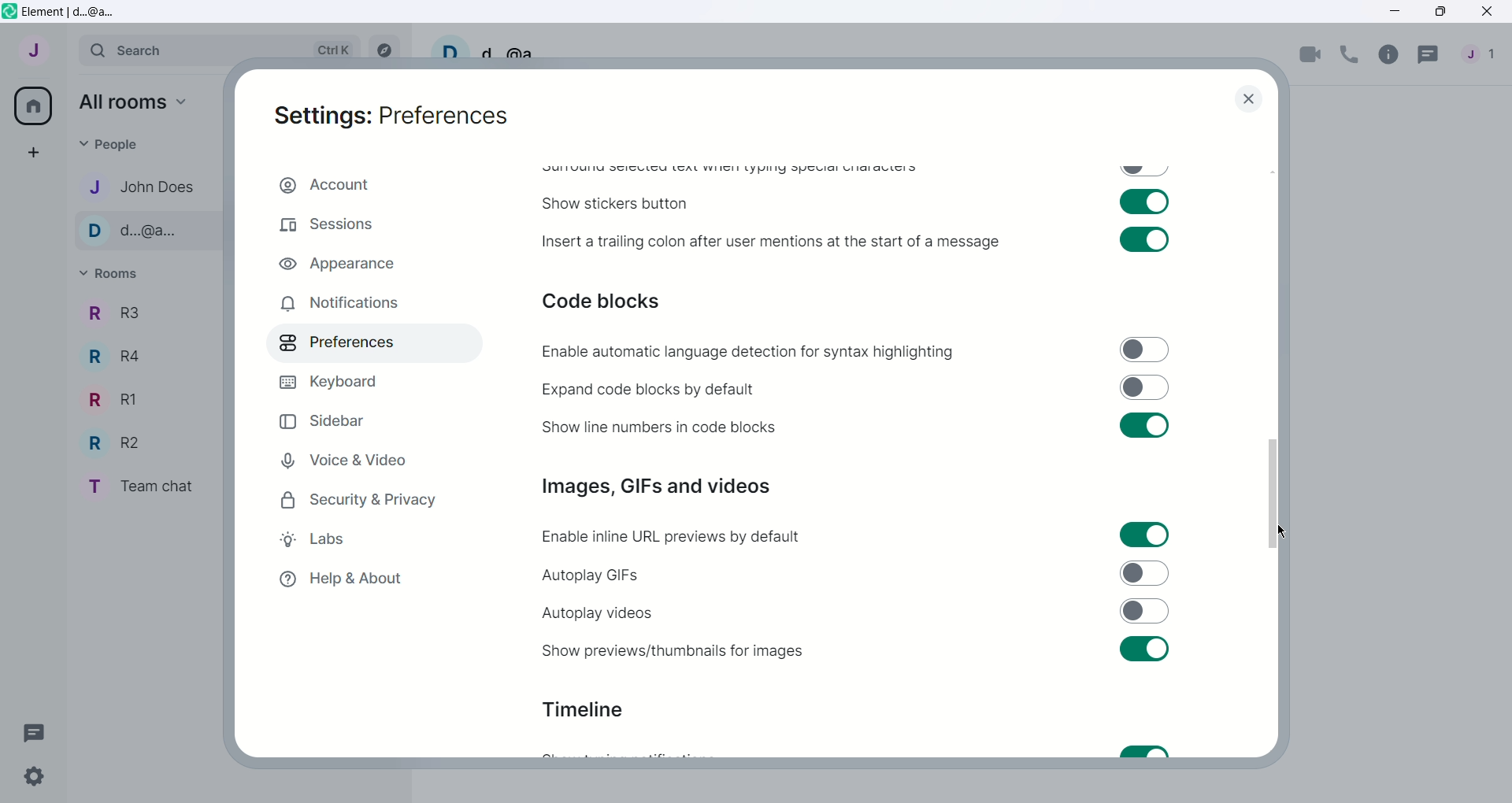 The height and width of the screenshot is (803, 1512). I want to click on Close, so click(1489, 11).